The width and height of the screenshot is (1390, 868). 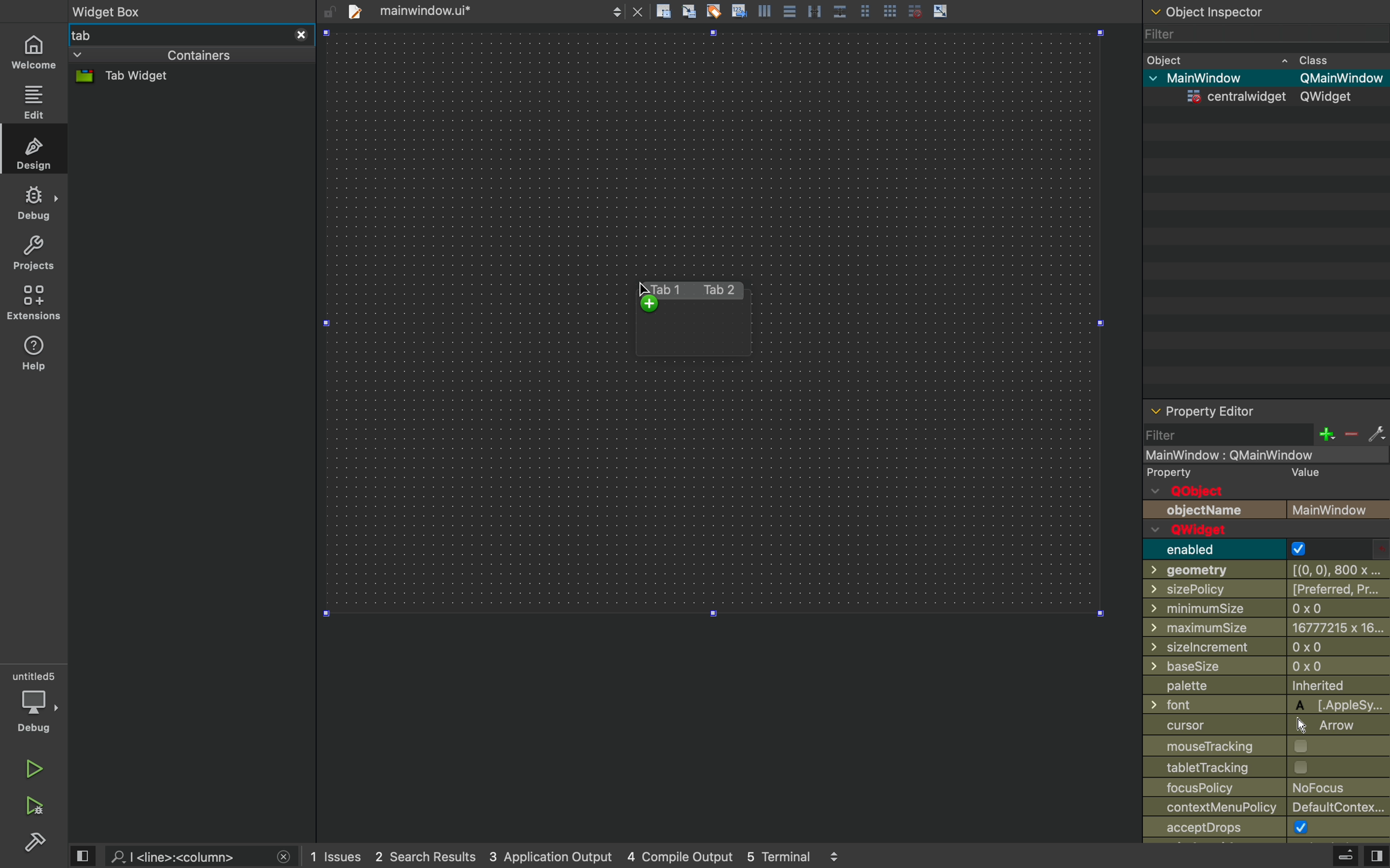 I want to click on disable grid snap, so click(x=915, y=10).